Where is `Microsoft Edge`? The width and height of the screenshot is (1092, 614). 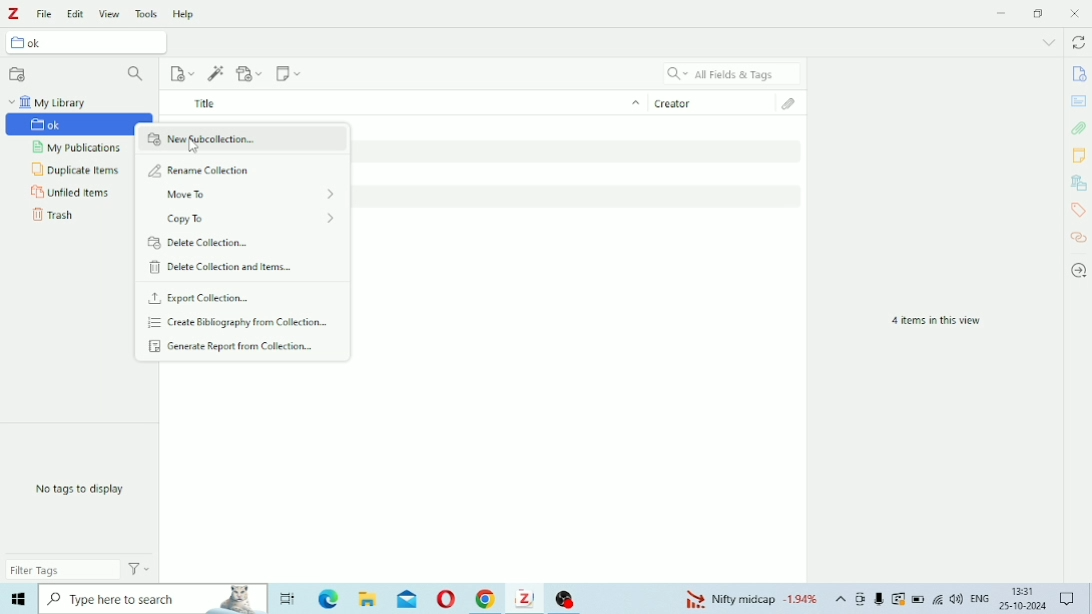 Microsoft Edge is located at coordinates (328, 598).